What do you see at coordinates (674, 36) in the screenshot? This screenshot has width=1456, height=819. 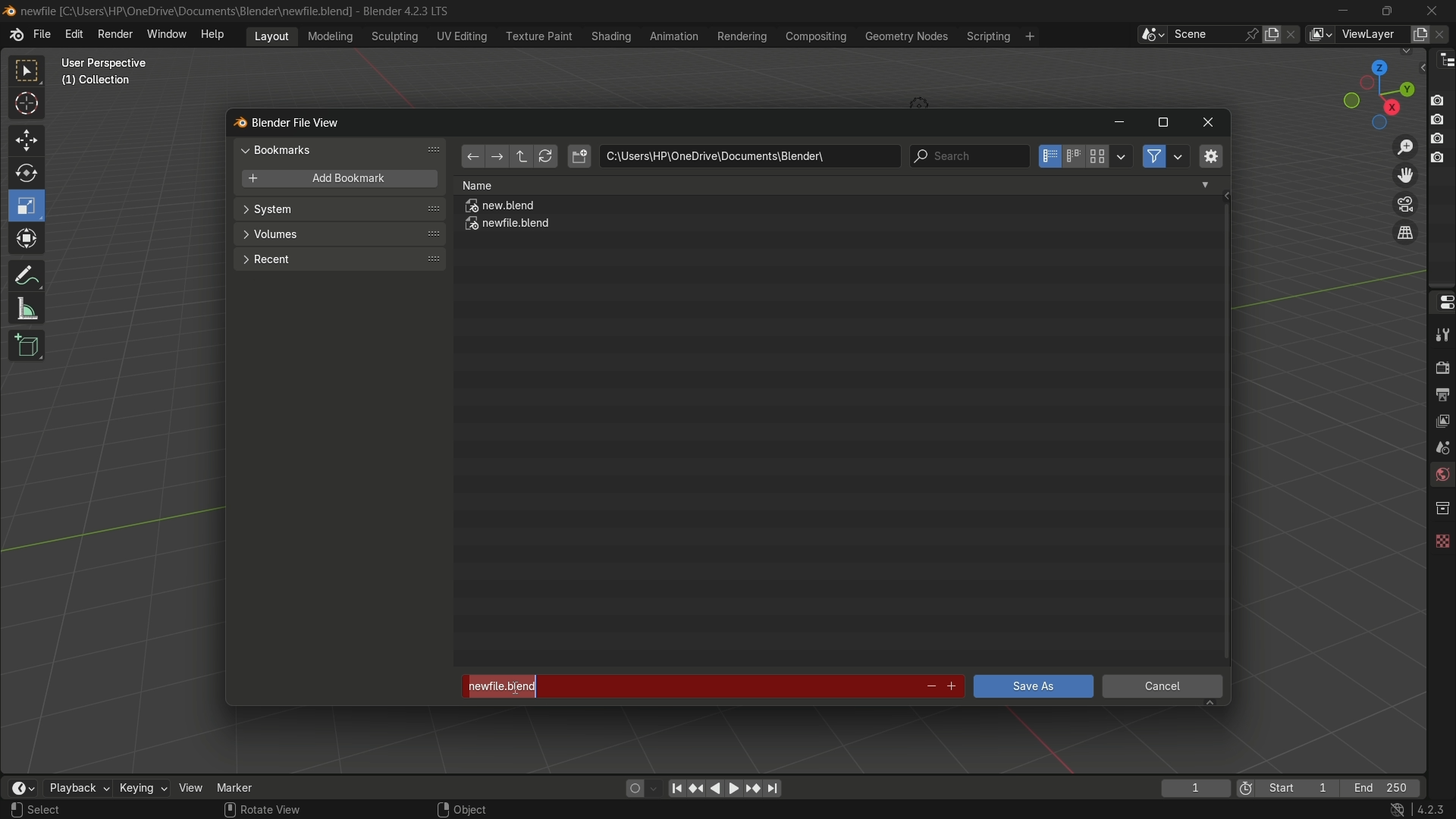 I see `animation menu` at bounding box center [674, 36].